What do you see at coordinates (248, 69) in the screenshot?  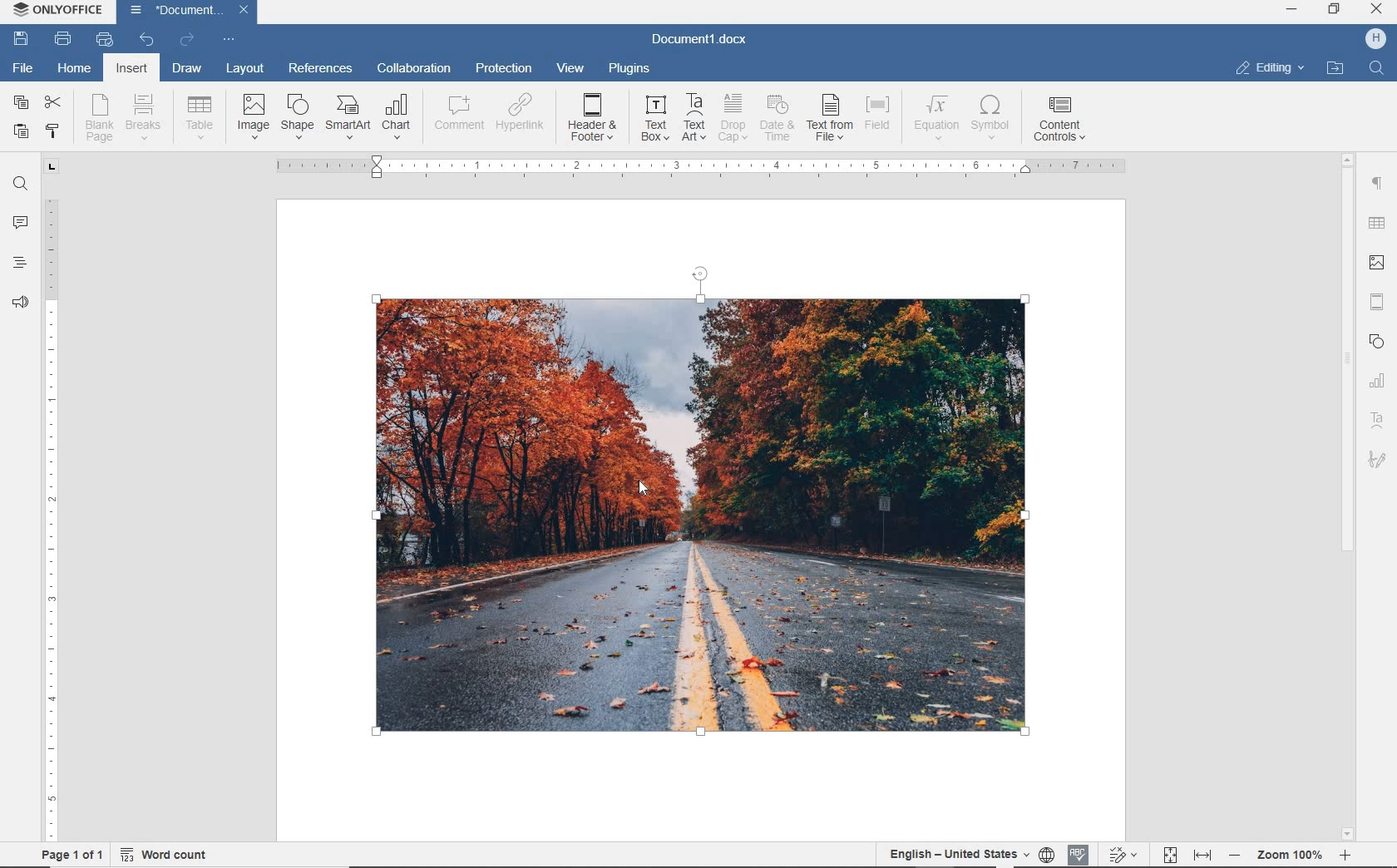 I see `layout` at bounding box center [248, 69].